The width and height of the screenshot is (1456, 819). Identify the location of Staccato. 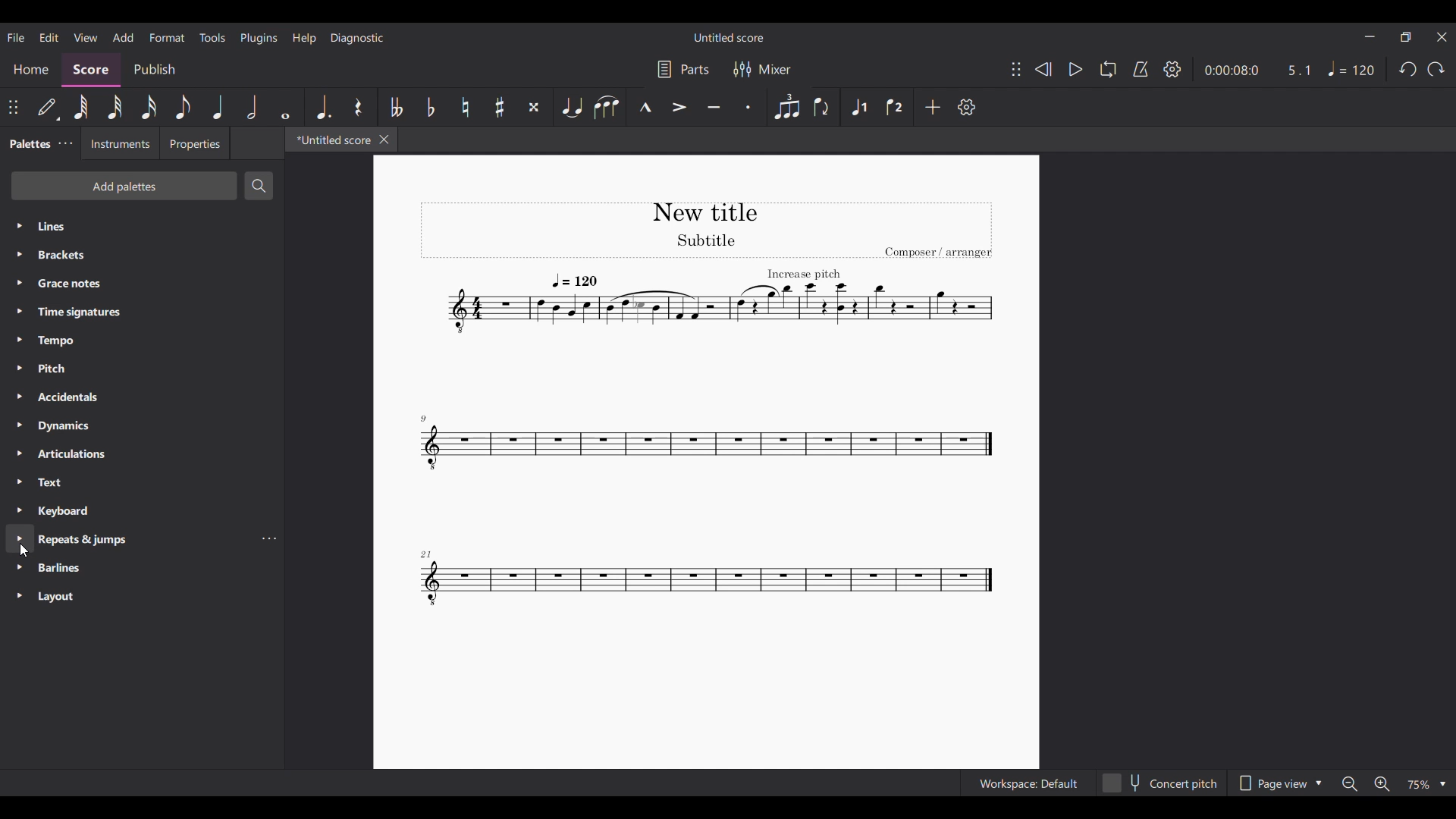
(748, 107).